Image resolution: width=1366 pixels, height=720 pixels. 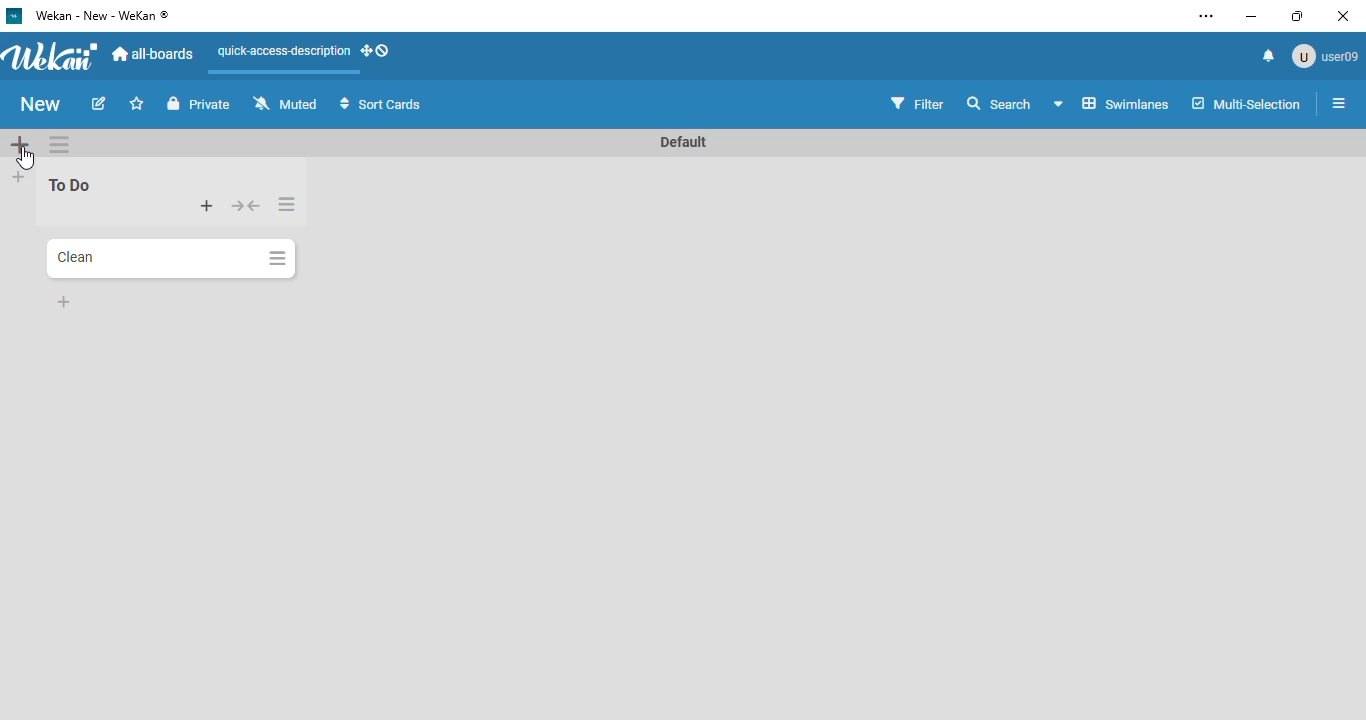 What do you see at coordinates (1112, 104) in the screenshot?
I see `board view` at bounding box center [1112, 104].